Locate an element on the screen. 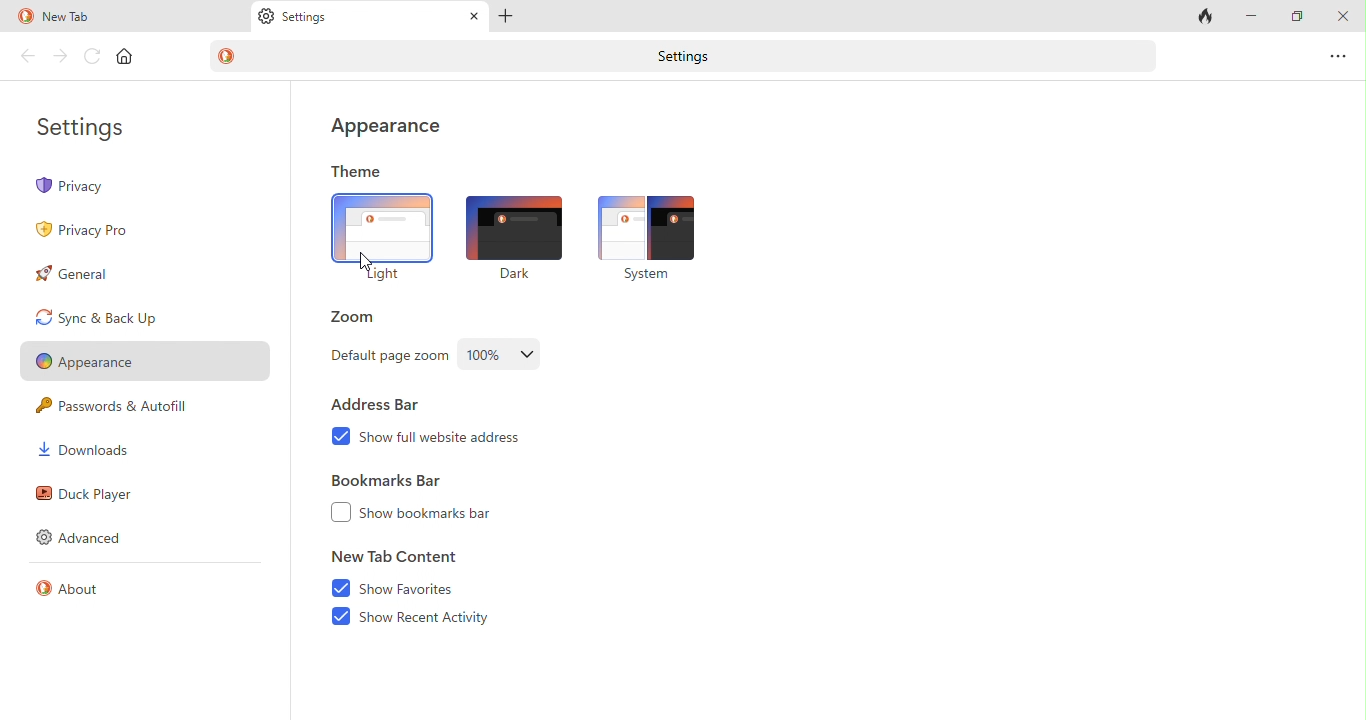 The image size is (1366, 720). zoom is located at coordinates (358, 317).